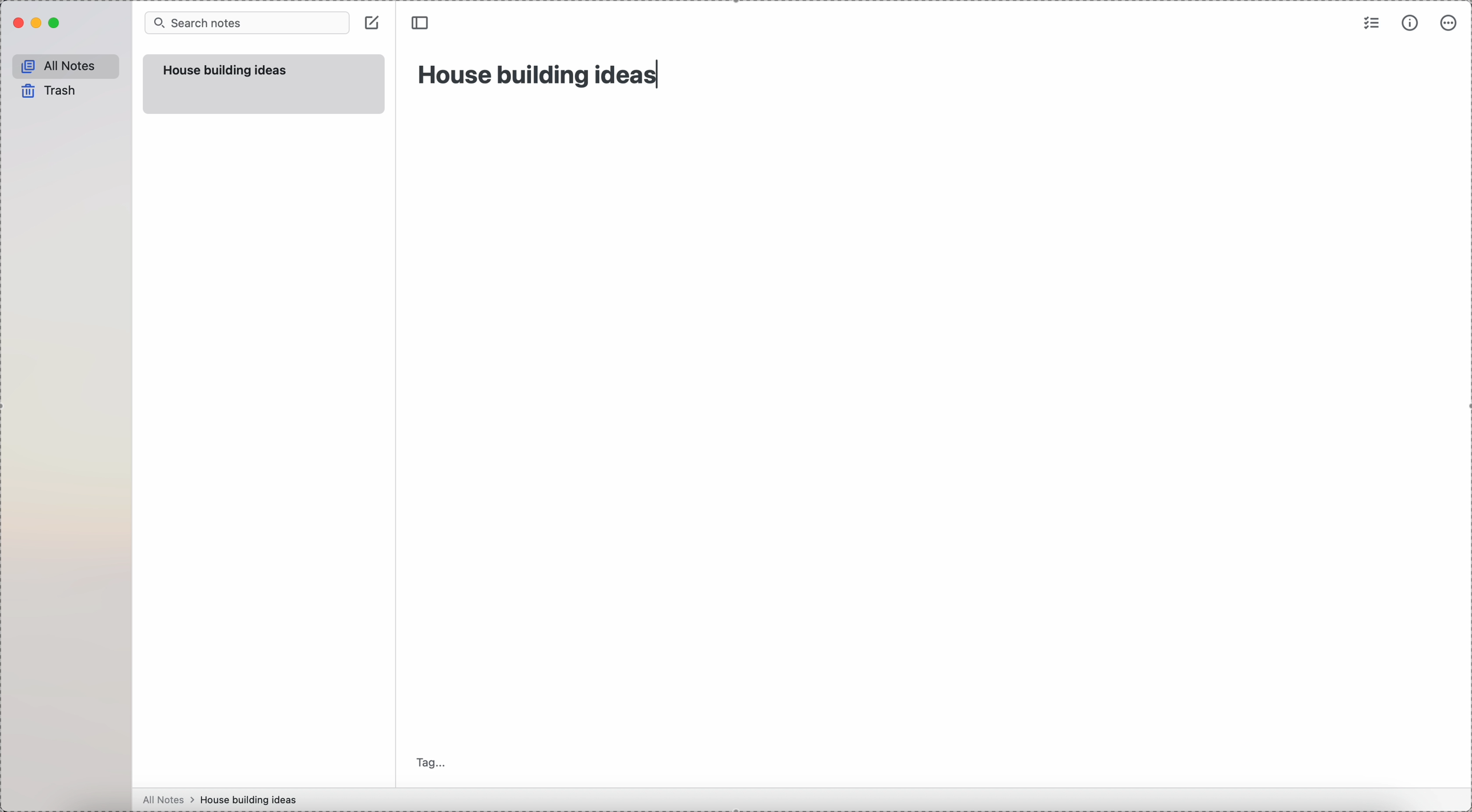 This screenshot has width=1472, height=812. What do you see at coordinates (433, 762) in the screenshot?
I see `tag` at bounding box center [433, 762].